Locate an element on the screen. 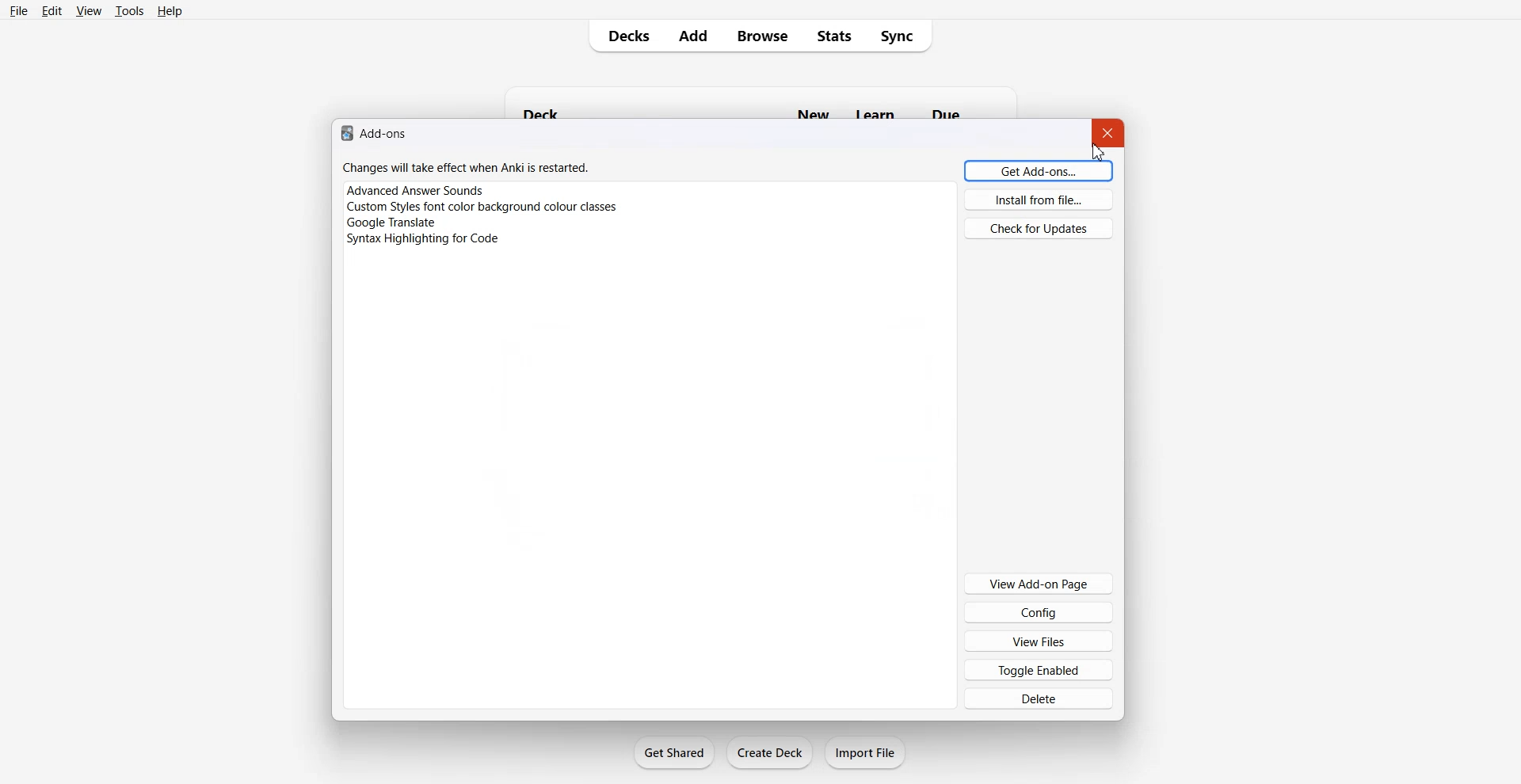 The height and width of the screenshot is (784, 1521). Import File is located at coordinates (866, 752).